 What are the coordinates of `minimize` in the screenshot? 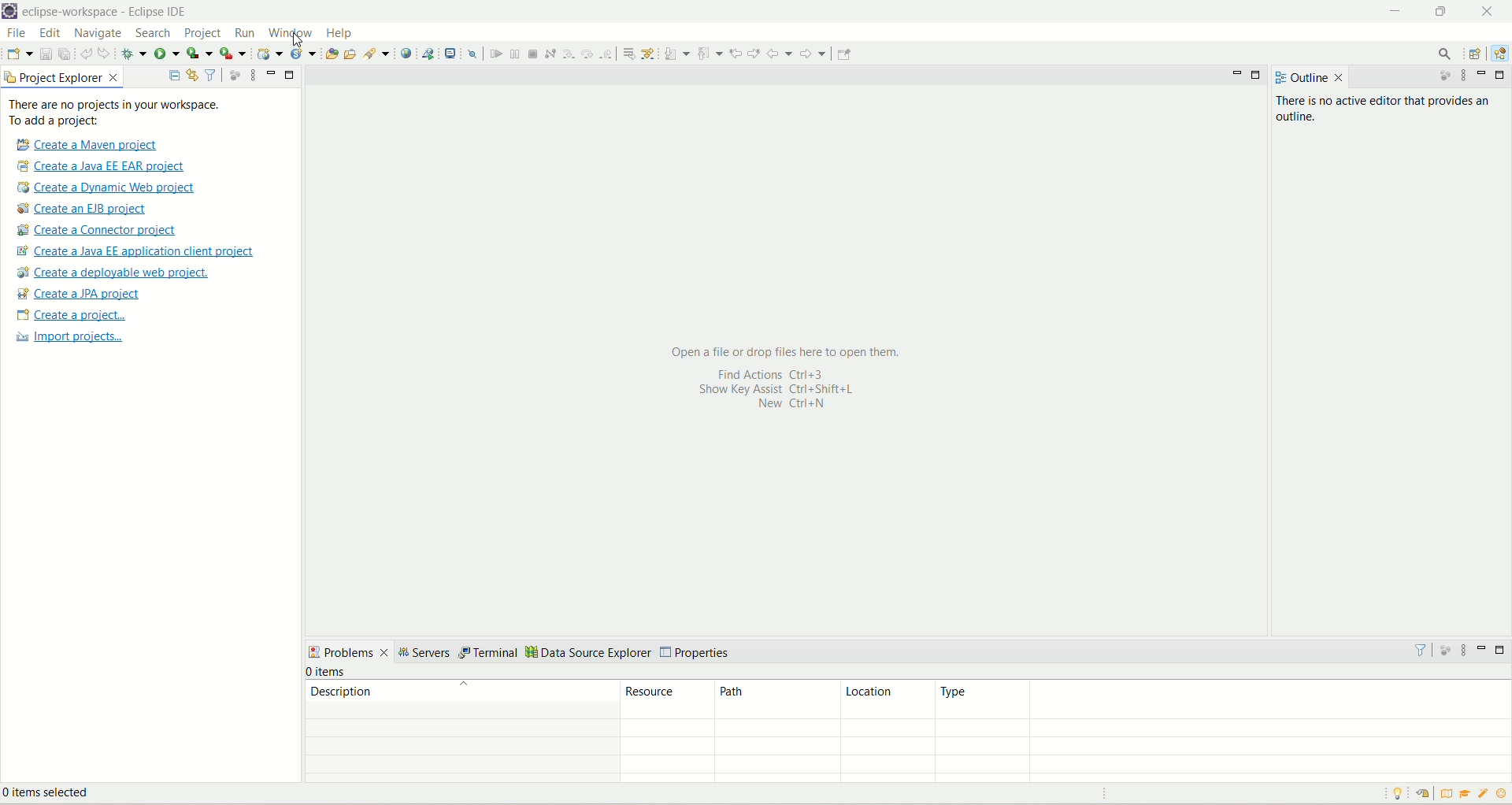 It's located at (271, 73).